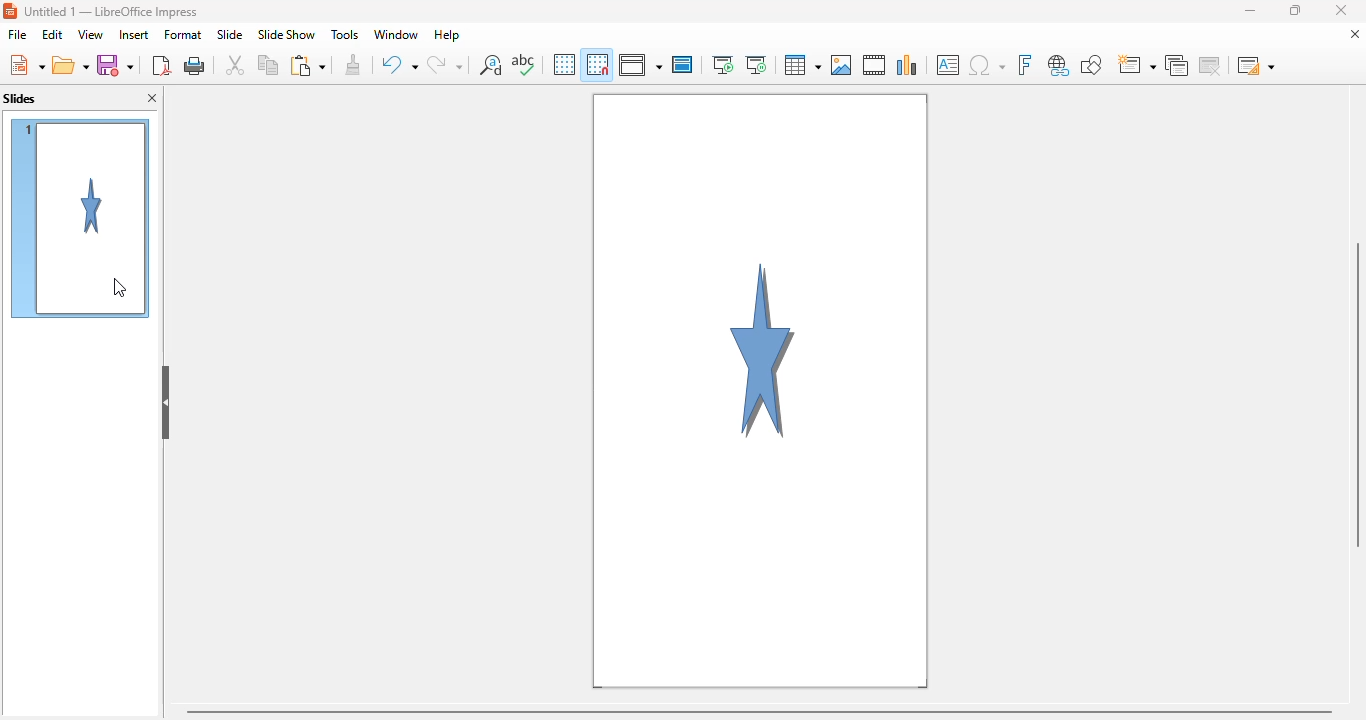 The height and width of the screenshot is (720, 1366). What do you see at coordinates (236, 65) in the screenshot?
I see `cut` at bounding box center [236, 65].